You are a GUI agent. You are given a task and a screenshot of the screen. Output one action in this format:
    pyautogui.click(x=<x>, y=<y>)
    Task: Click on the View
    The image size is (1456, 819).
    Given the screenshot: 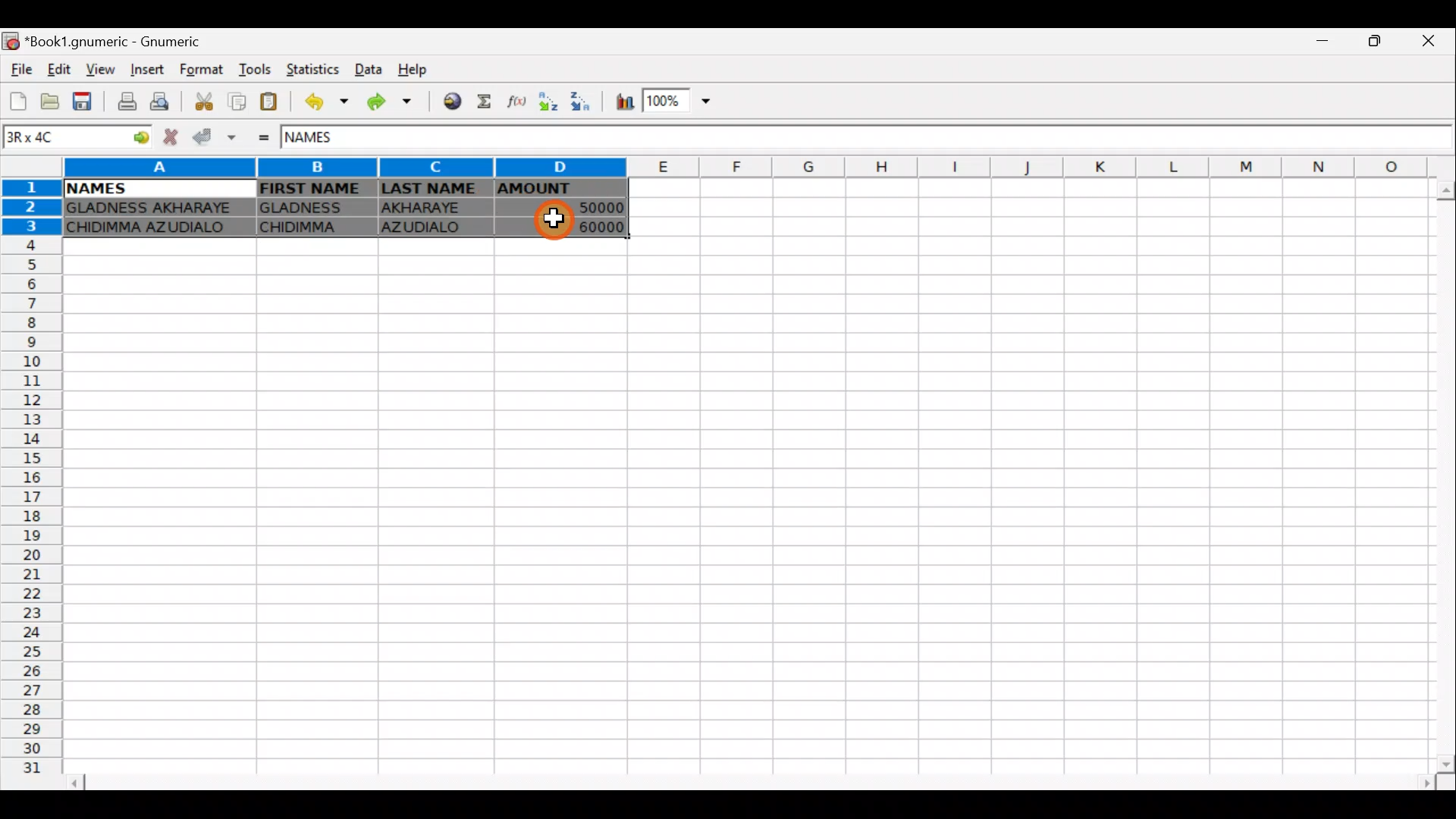 What is the action you would take?
    pyautogui.click(x=96, y=70)
    